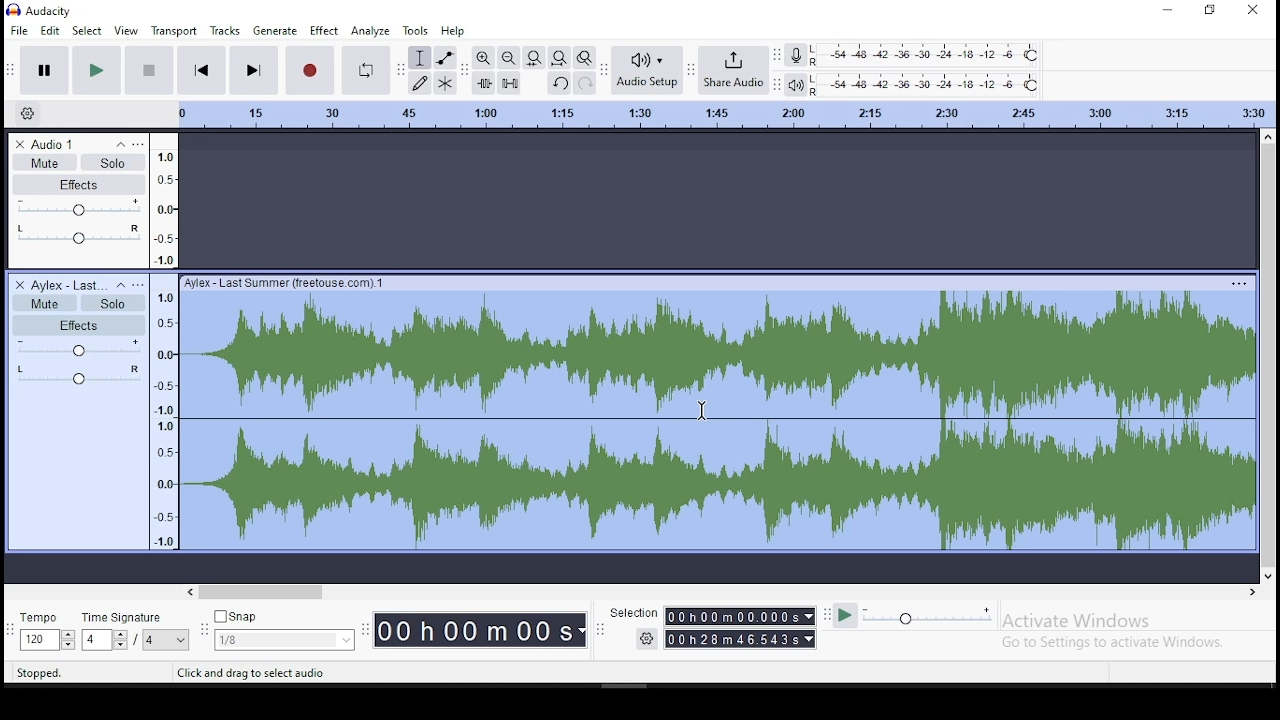 The height and width of the screenshot is (720, 1280). What do you see at coordinates (137, 632) in the screenshot?
I see `time signature` at bounding box center [137, 632].